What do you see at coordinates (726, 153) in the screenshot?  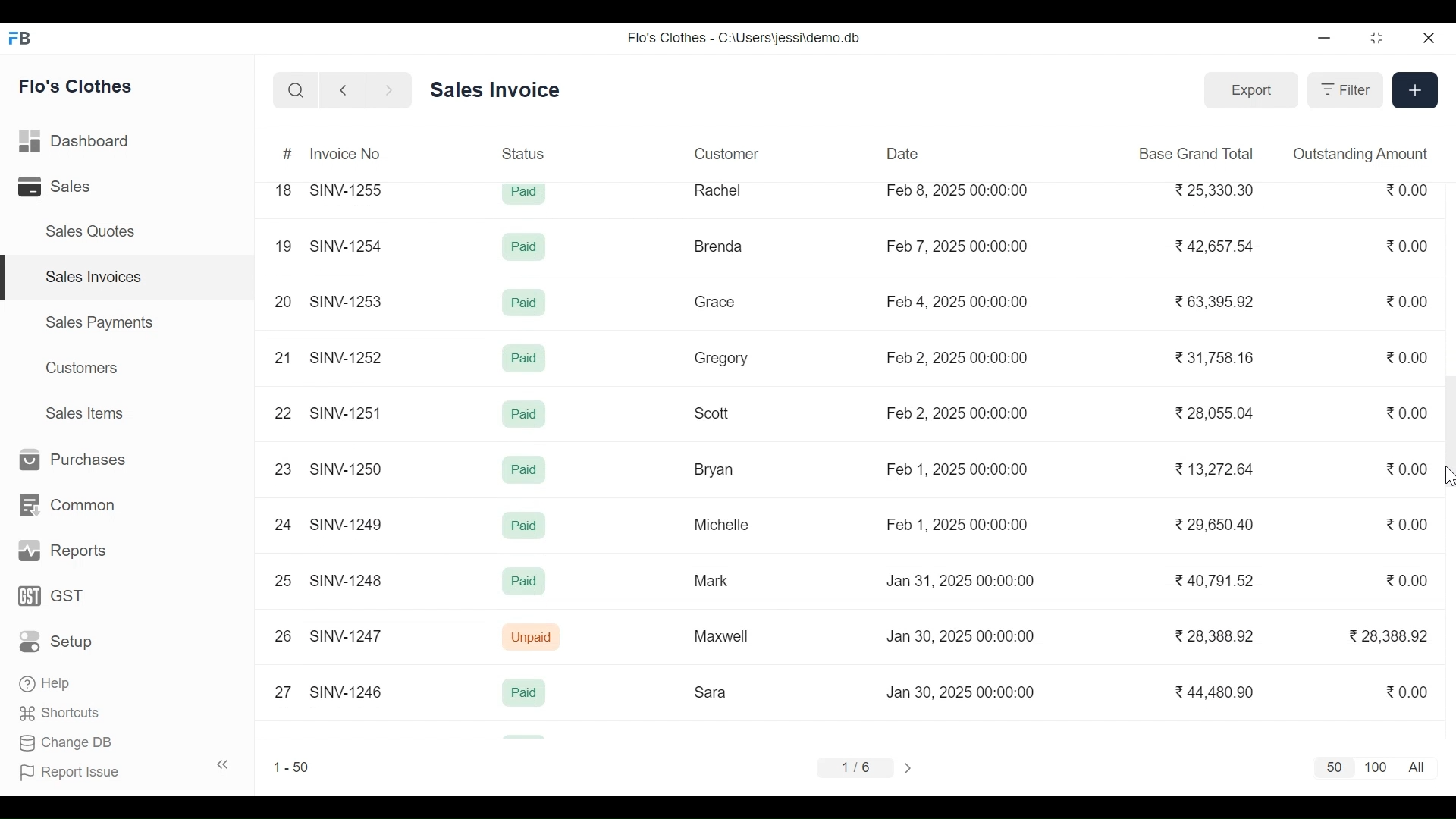 I see `Customer` at bounding box center [726, 153].